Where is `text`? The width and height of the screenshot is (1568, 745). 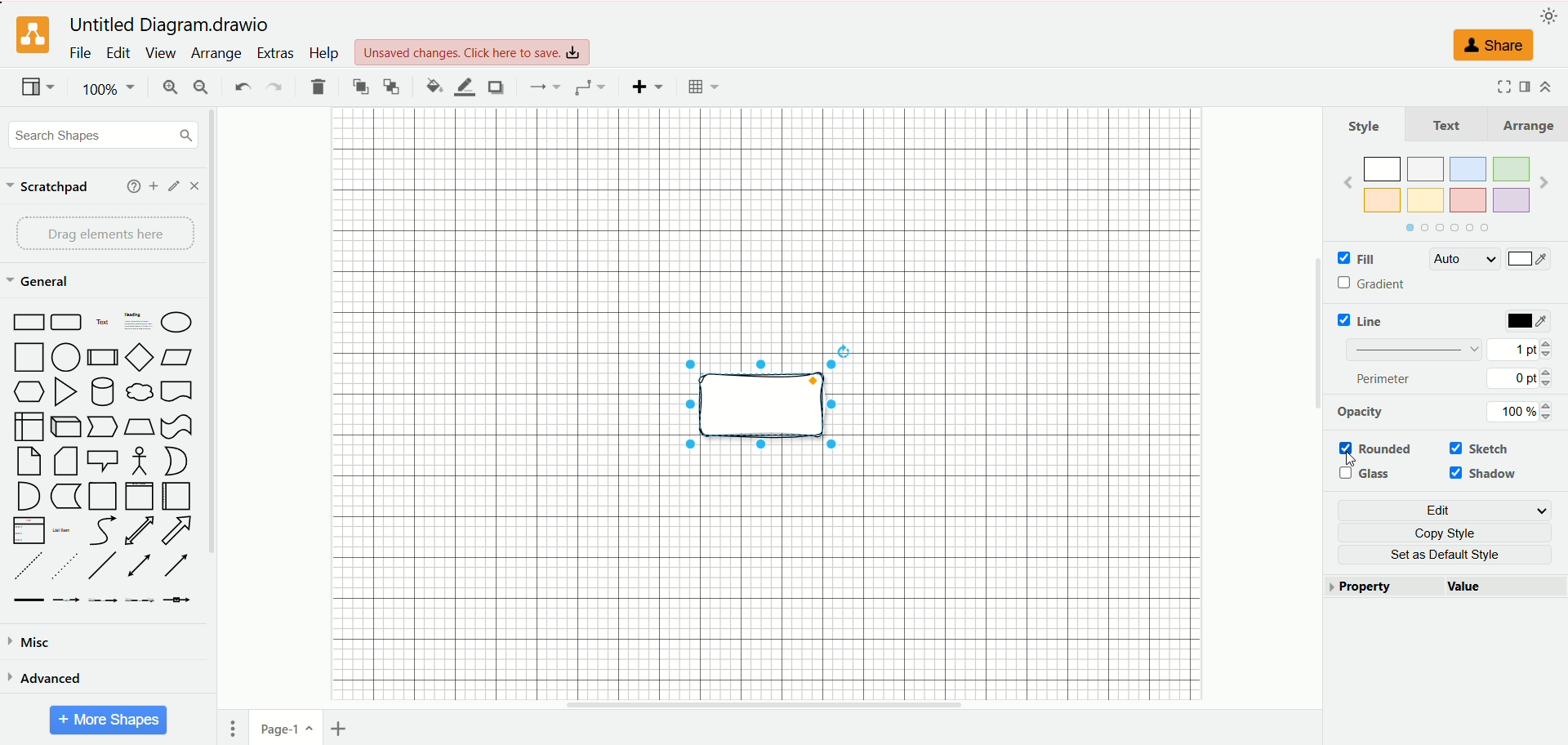 text is located at coordinates (1447, 124).